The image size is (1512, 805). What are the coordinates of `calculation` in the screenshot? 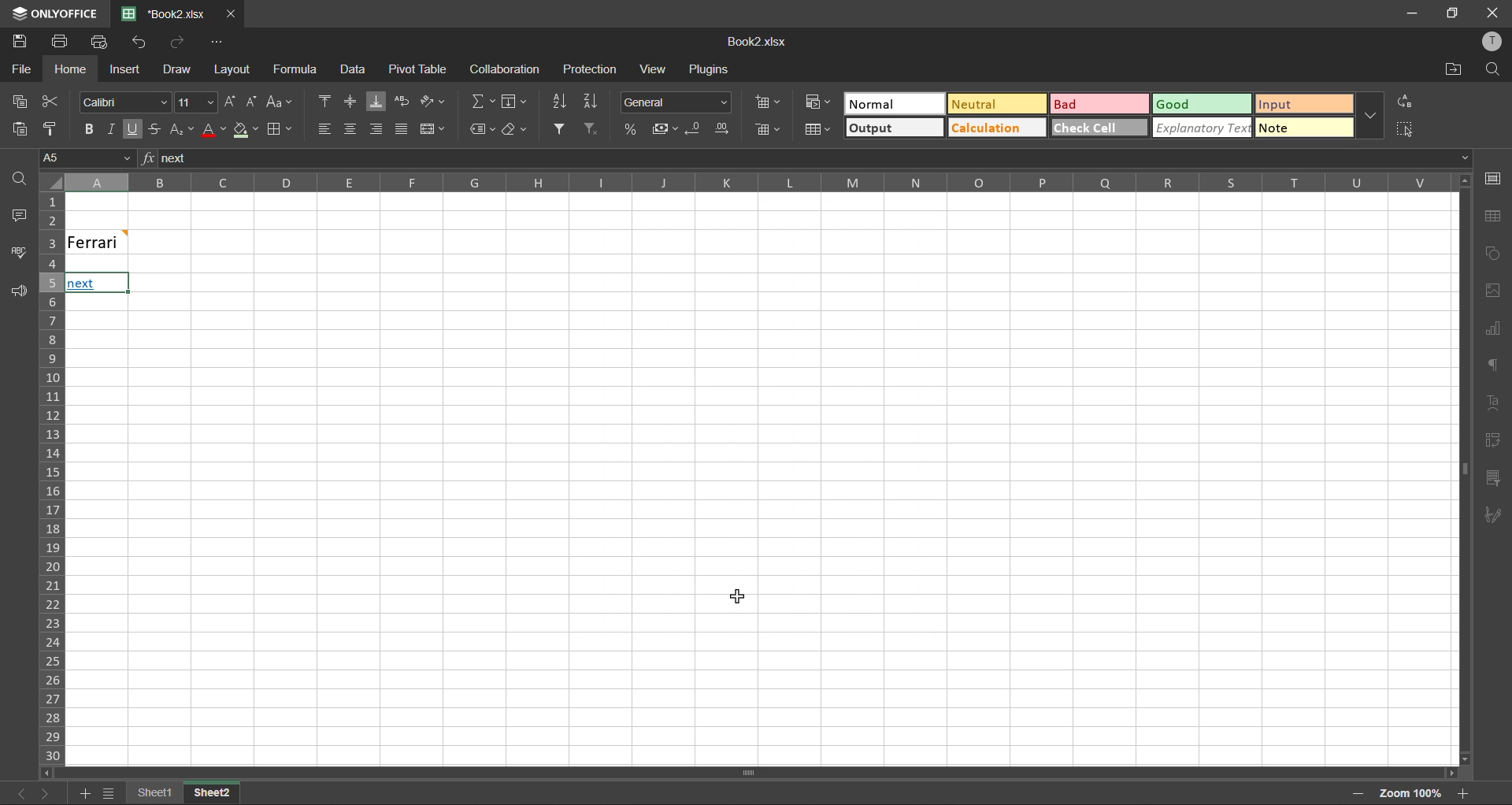 It's located at (984, 129).